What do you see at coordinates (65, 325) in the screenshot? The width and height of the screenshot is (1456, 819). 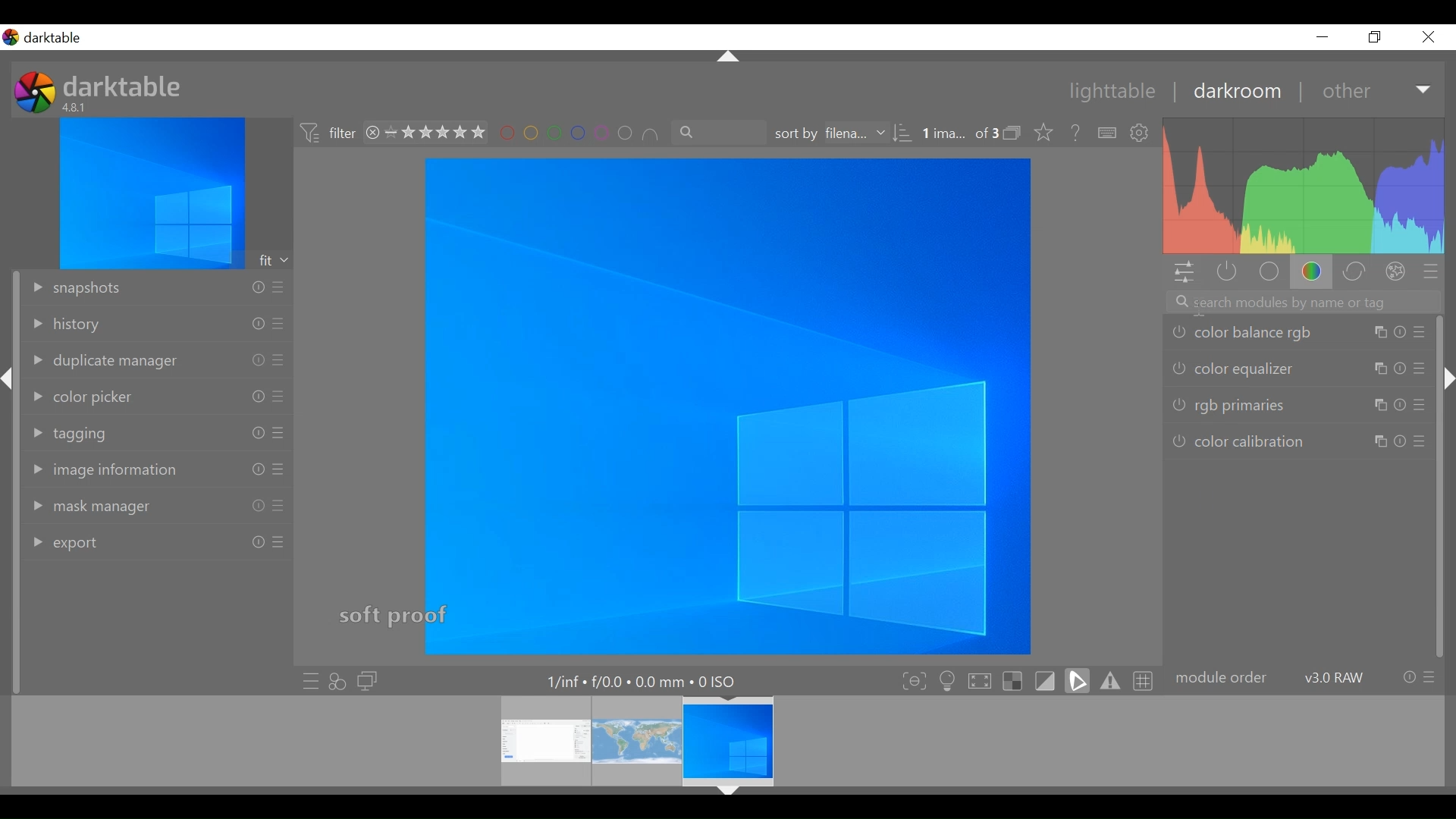 I see `history` at bounding box center [65, 325].